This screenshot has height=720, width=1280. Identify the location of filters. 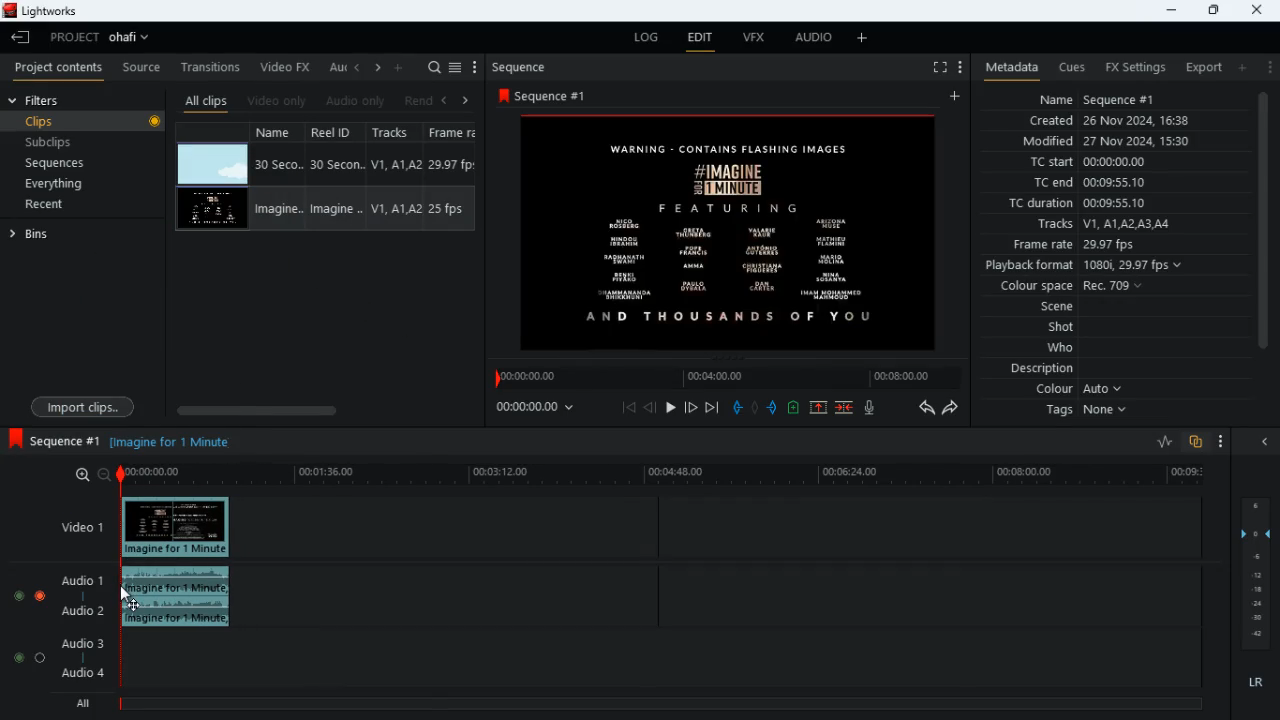
(38, 100).